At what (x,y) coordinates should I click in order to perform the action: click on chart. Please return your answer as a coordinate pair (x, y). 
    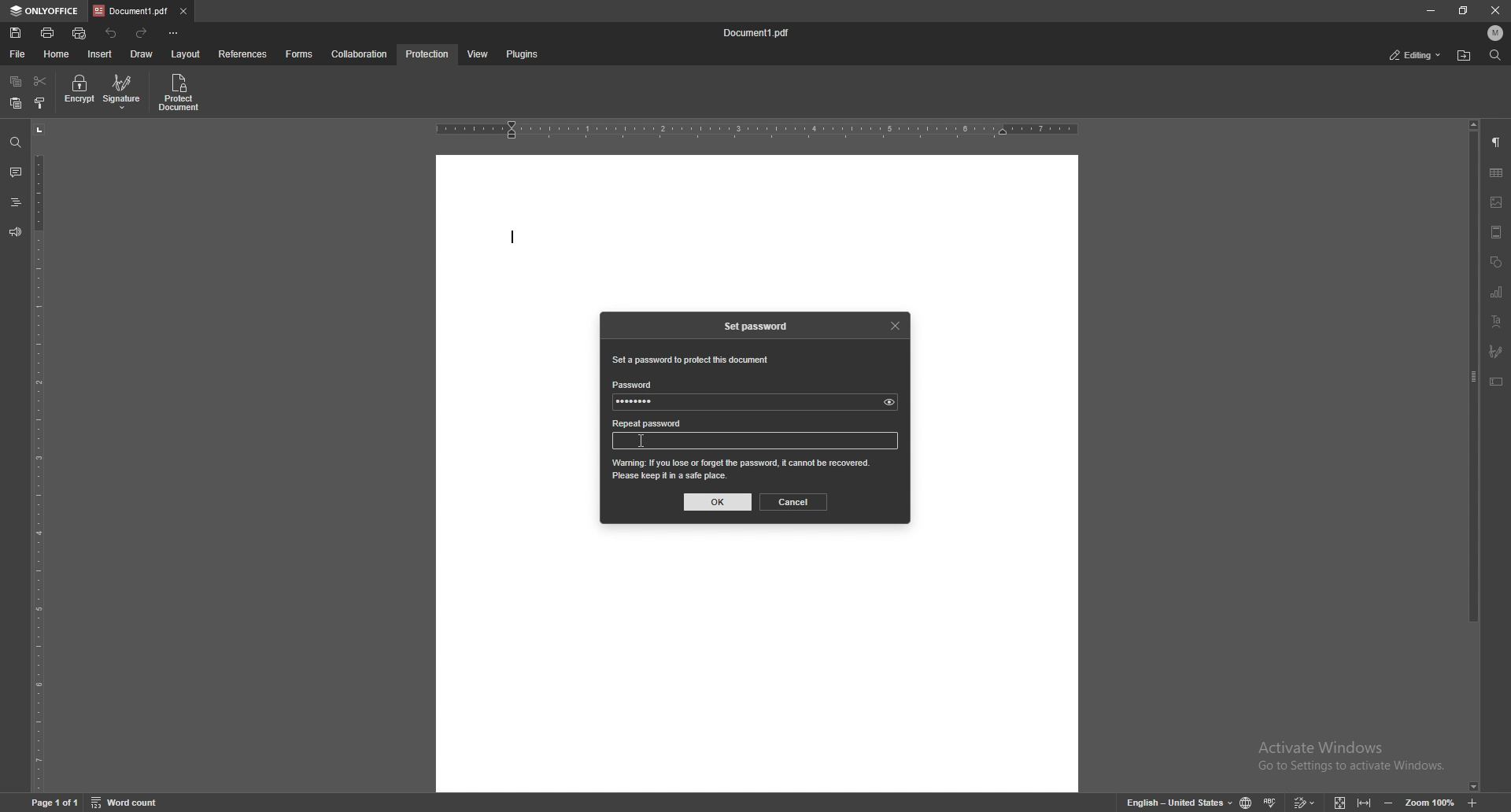
    Looking at the image, I should click on (1497, 291).